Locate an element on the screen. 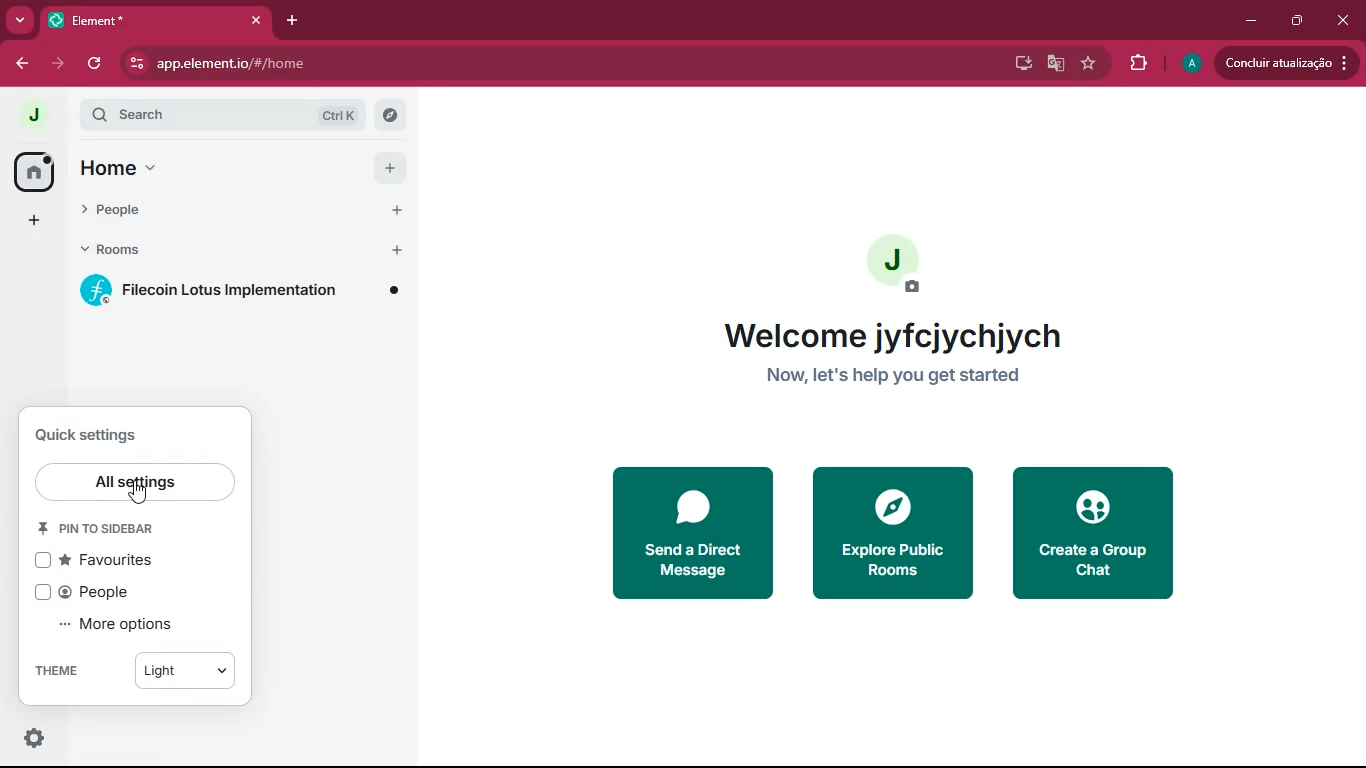 The image size is (1366, 768). close is located at coordinates (1346, 24).